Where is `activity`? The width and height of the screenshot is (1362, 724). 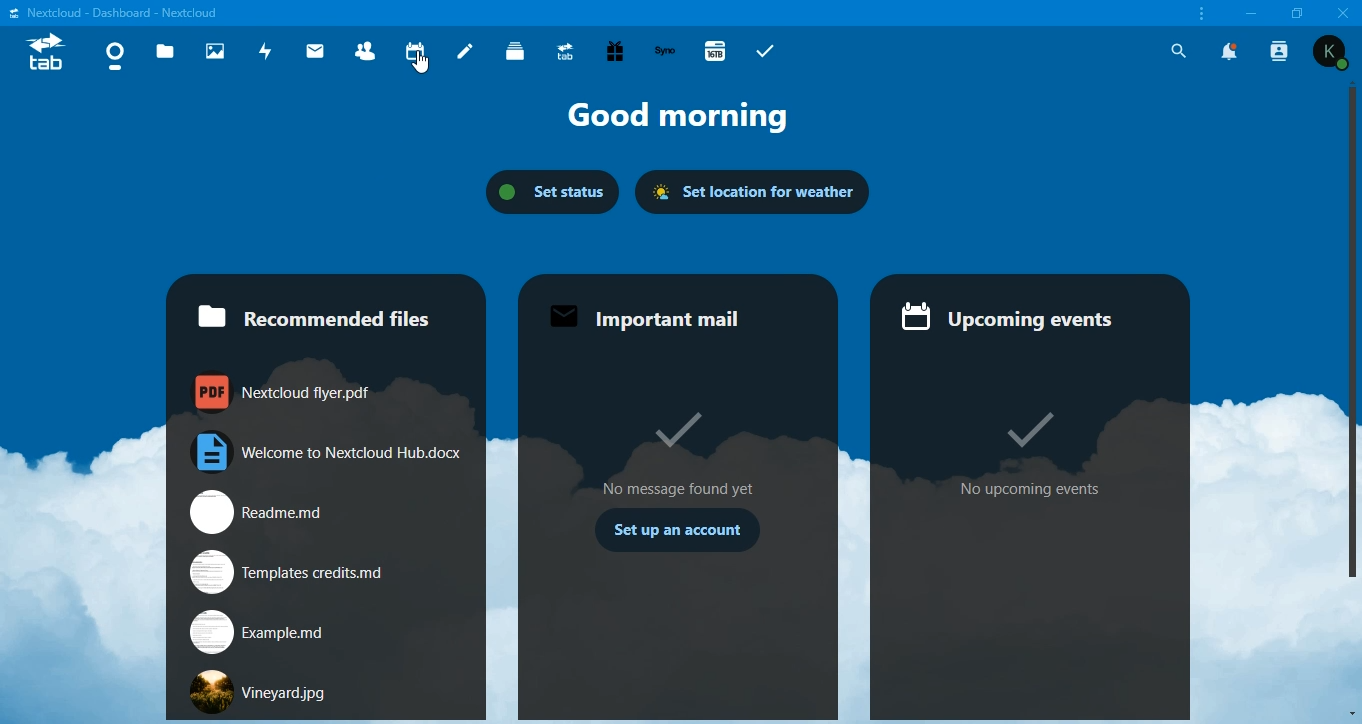
activity is located at coordinates (267, 50).